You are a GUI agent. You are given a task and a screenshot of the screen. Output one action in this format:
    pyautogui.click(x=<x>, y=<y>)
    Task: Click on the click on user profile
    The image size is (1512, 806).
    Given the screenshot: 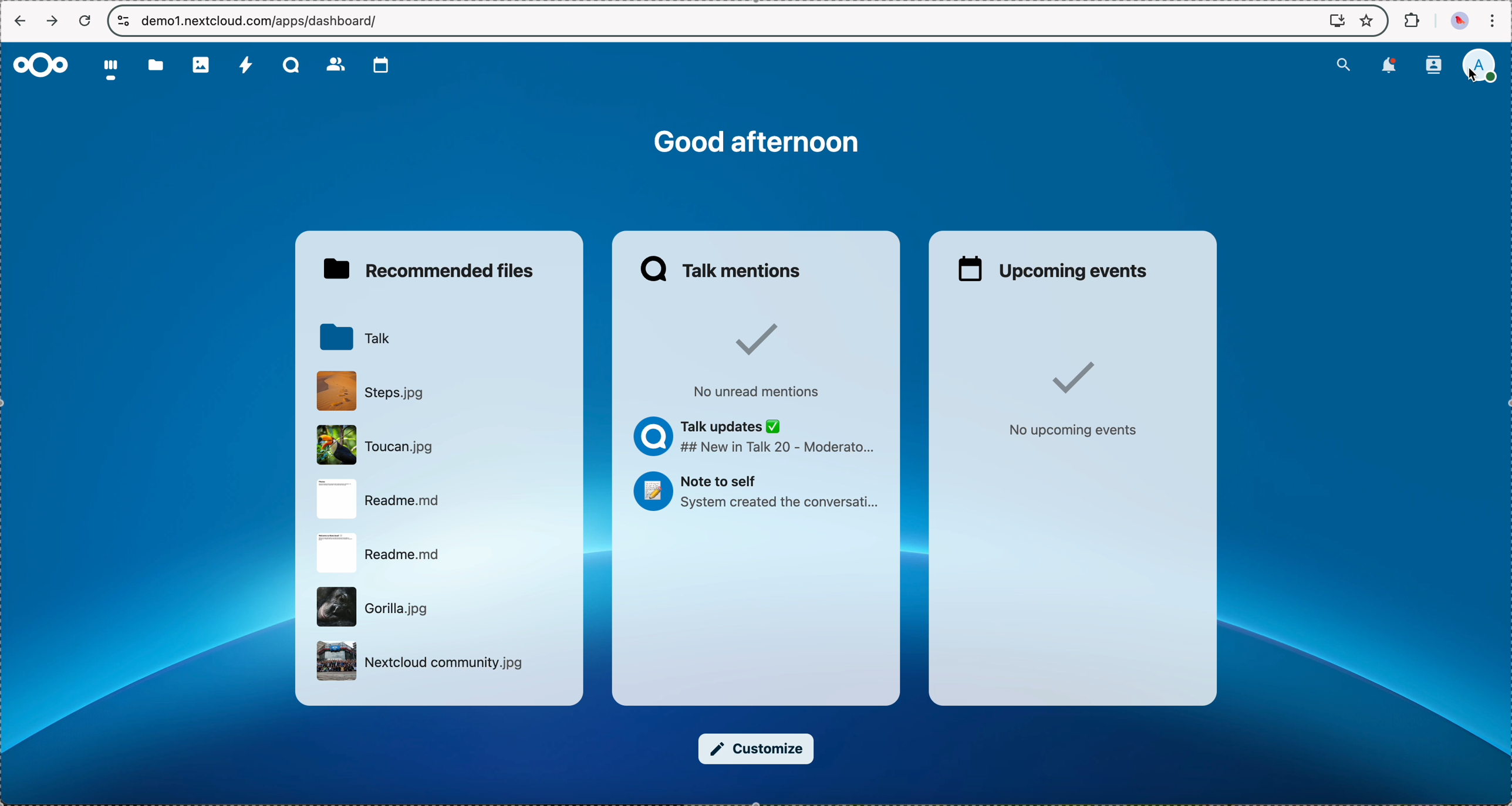 What is the action you would take?
    pyautogui.click(x=1479, y=67)
    